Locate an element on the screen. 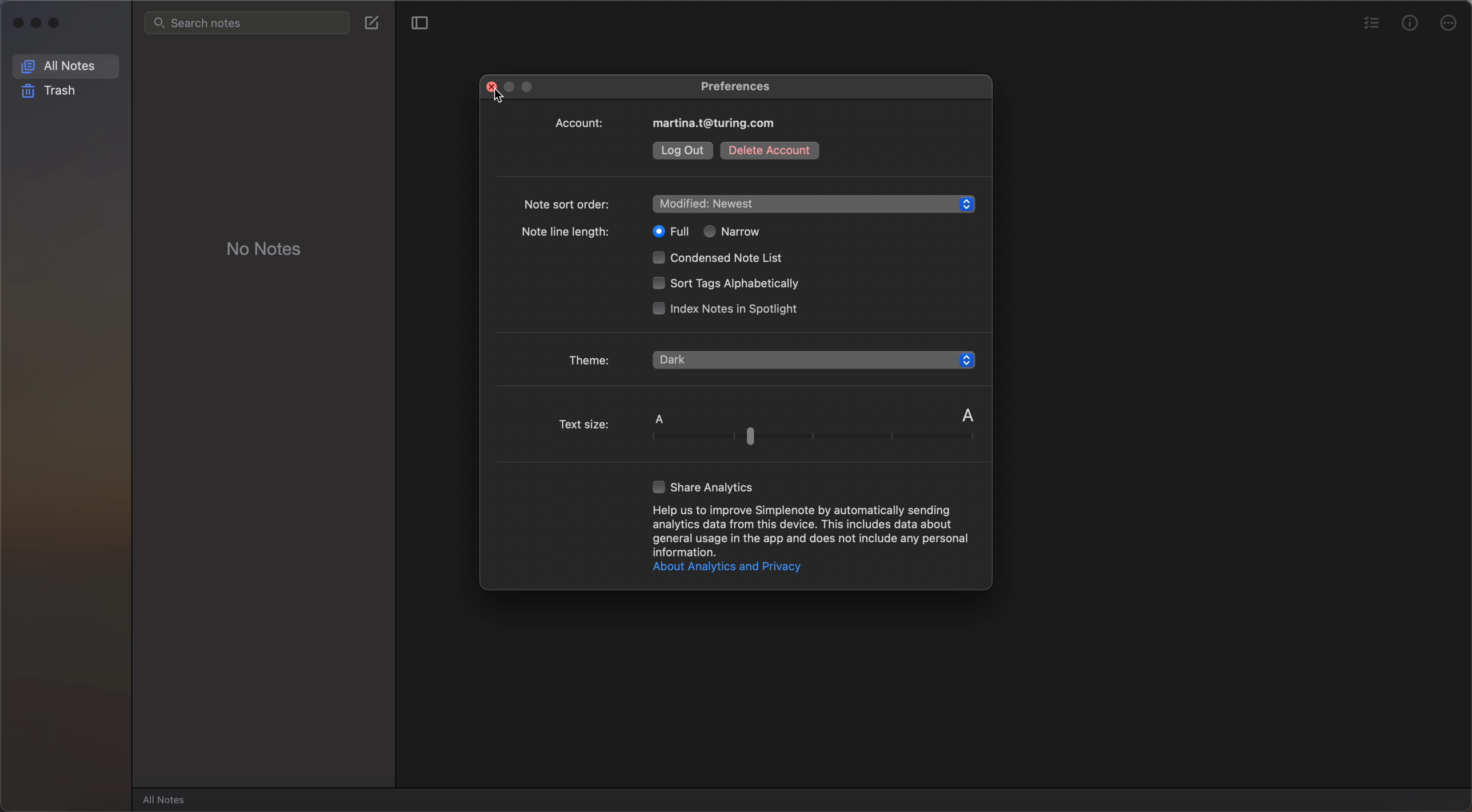  account is located at coordinates (669, 123).